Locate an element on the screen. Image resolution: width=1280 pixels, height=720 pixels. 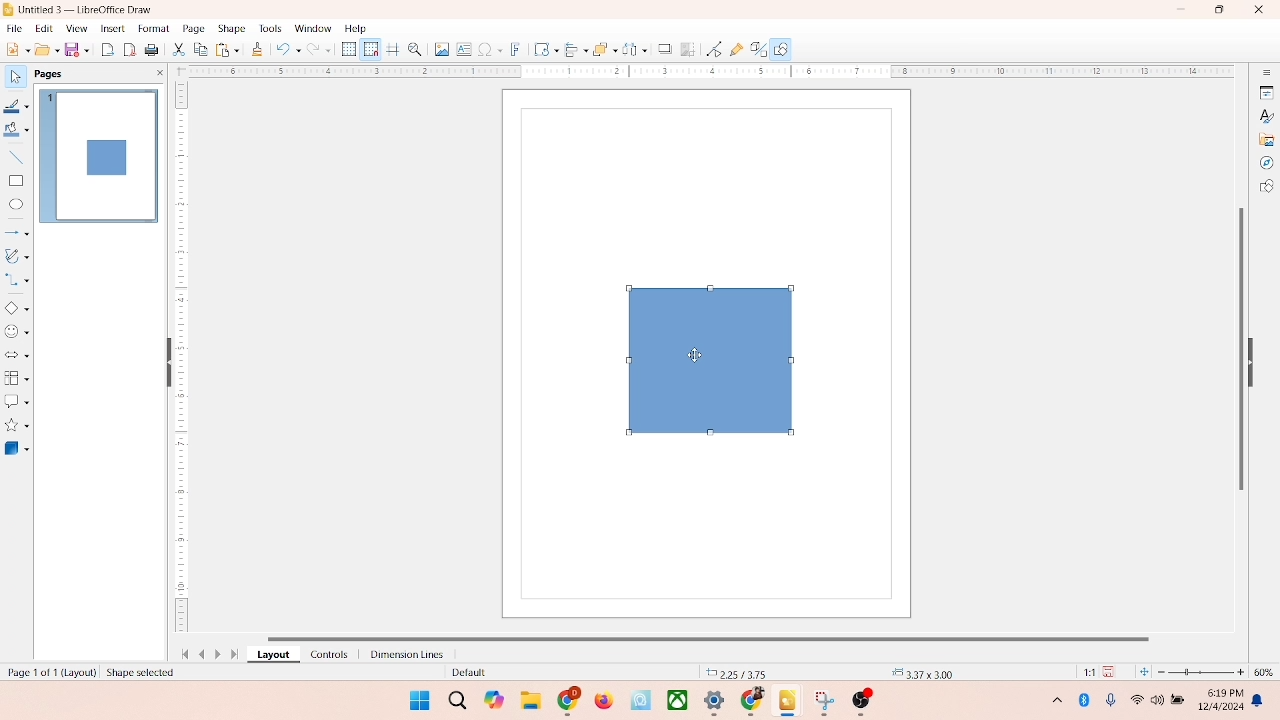
more is located at coordinates (1055, 700).